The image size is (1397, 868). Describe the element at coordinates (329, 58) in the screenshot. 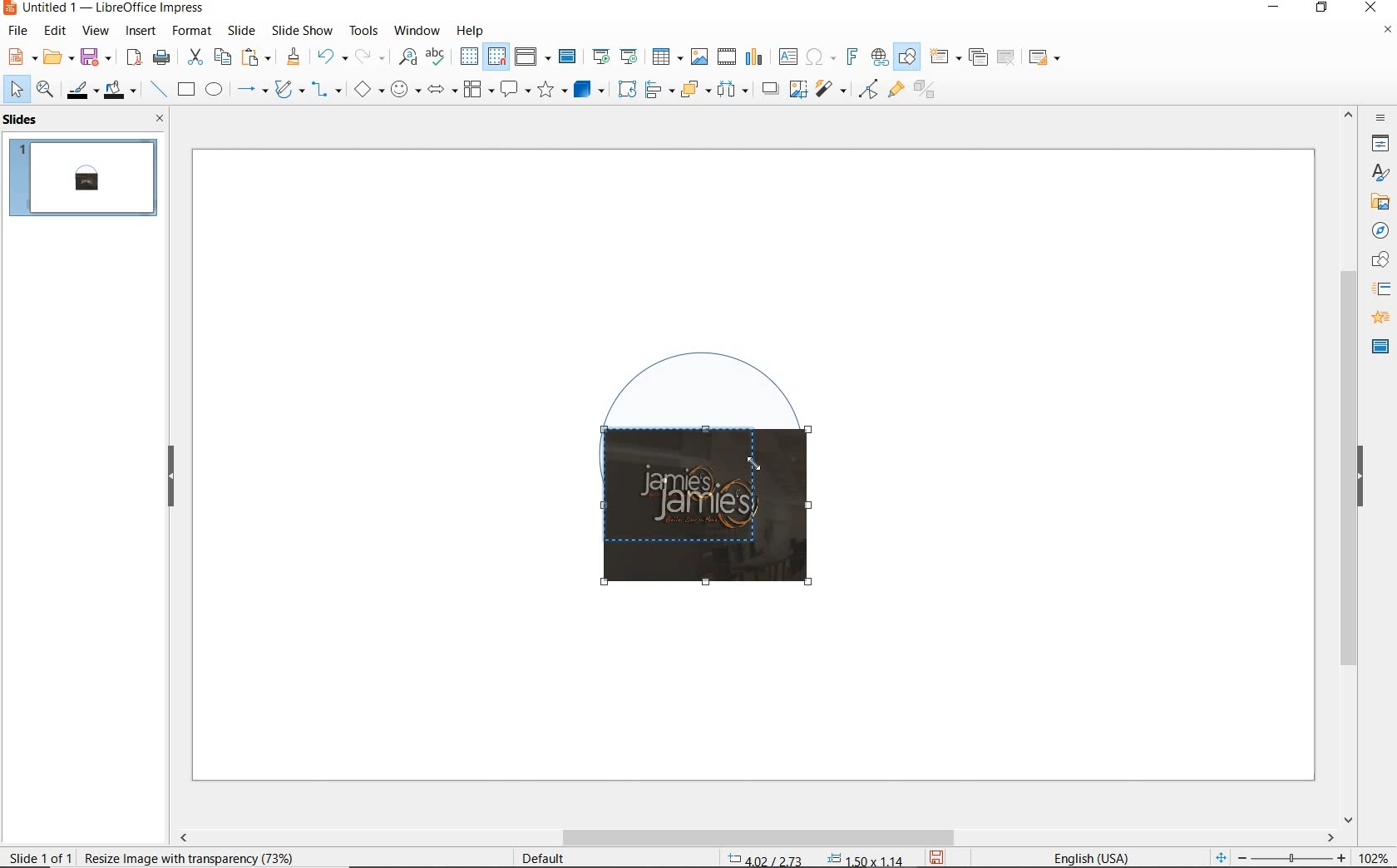

I see `undo` at that location.